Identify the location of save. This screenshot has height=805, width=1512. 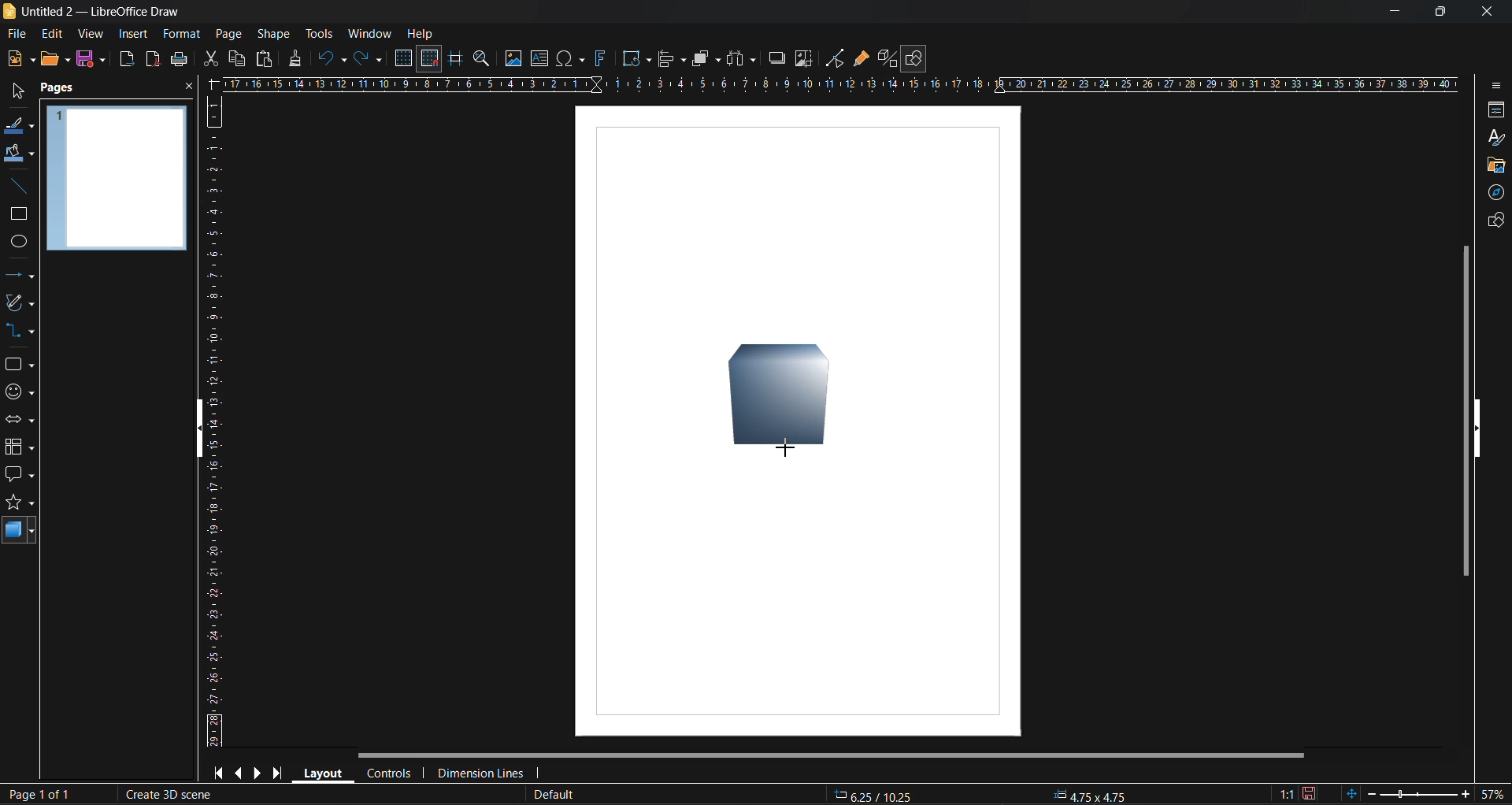
(94, 60).